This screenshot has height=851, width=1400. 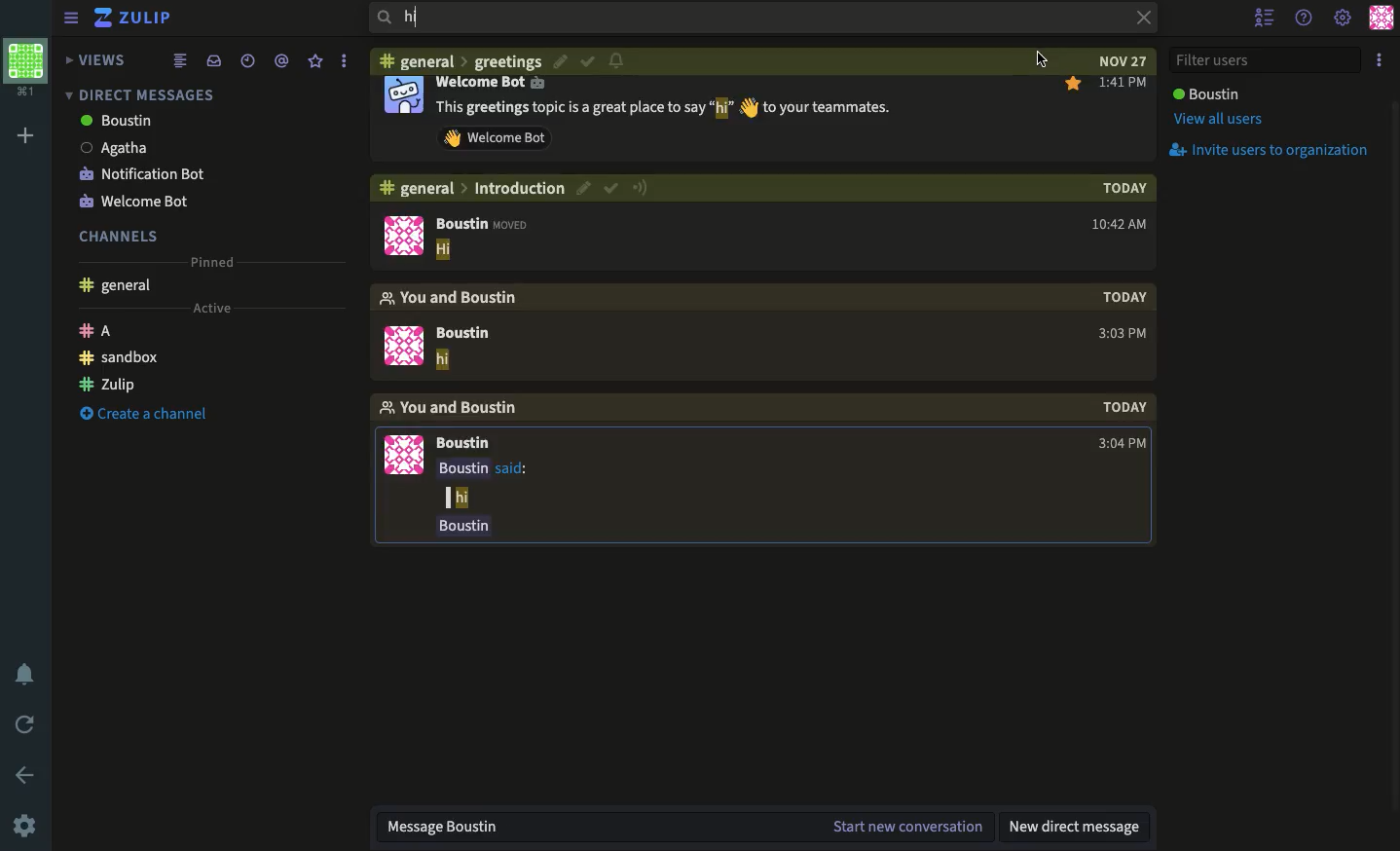 I want to click on Inbox, so click(x=210, y=61).